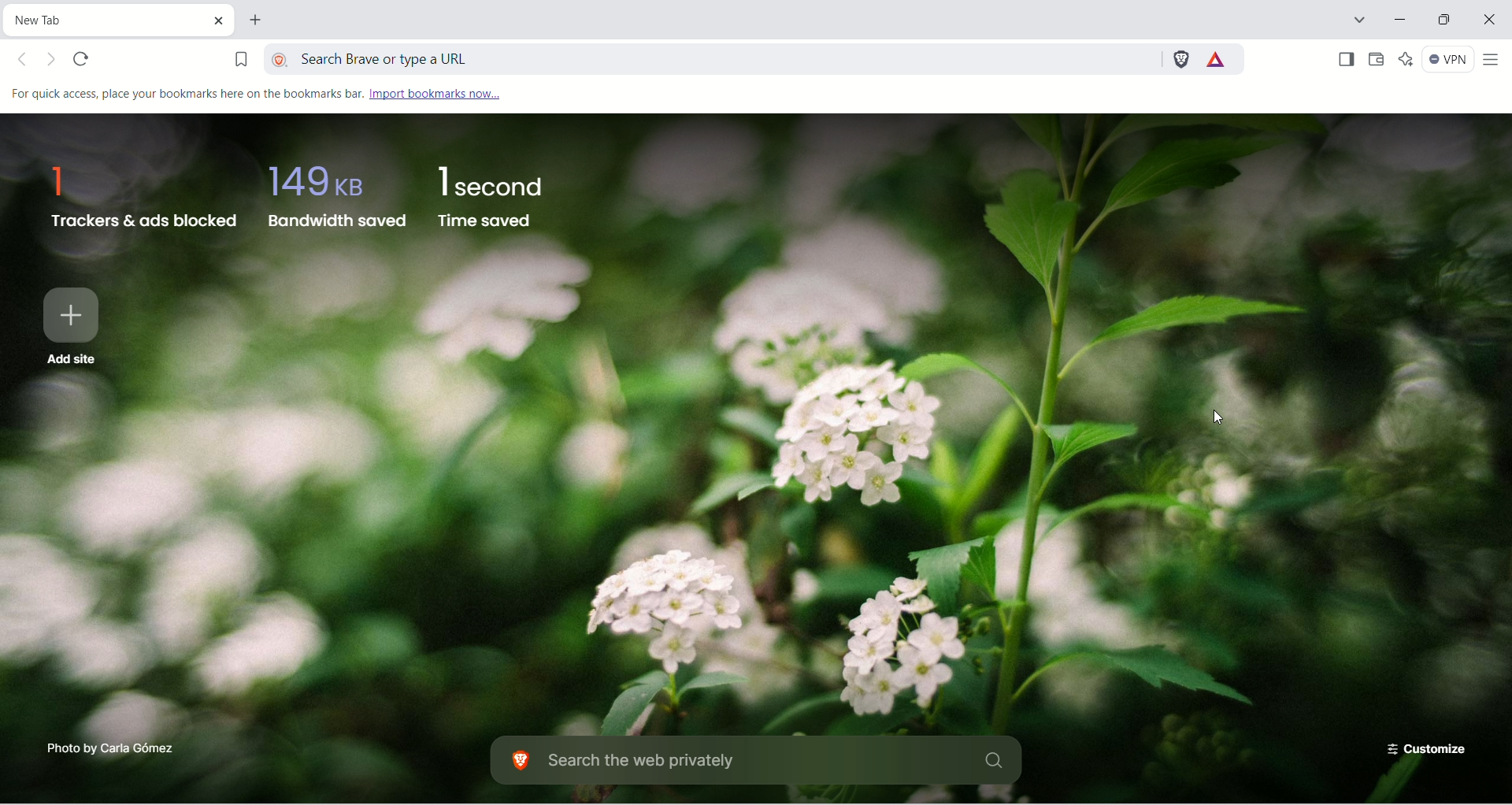 The width and height of the screenshot is (1512, 805). What do you see at coordinates (24, 60) in the screenshot?
I see `click to go back, hold to see history` at bounding box center [24, 60].